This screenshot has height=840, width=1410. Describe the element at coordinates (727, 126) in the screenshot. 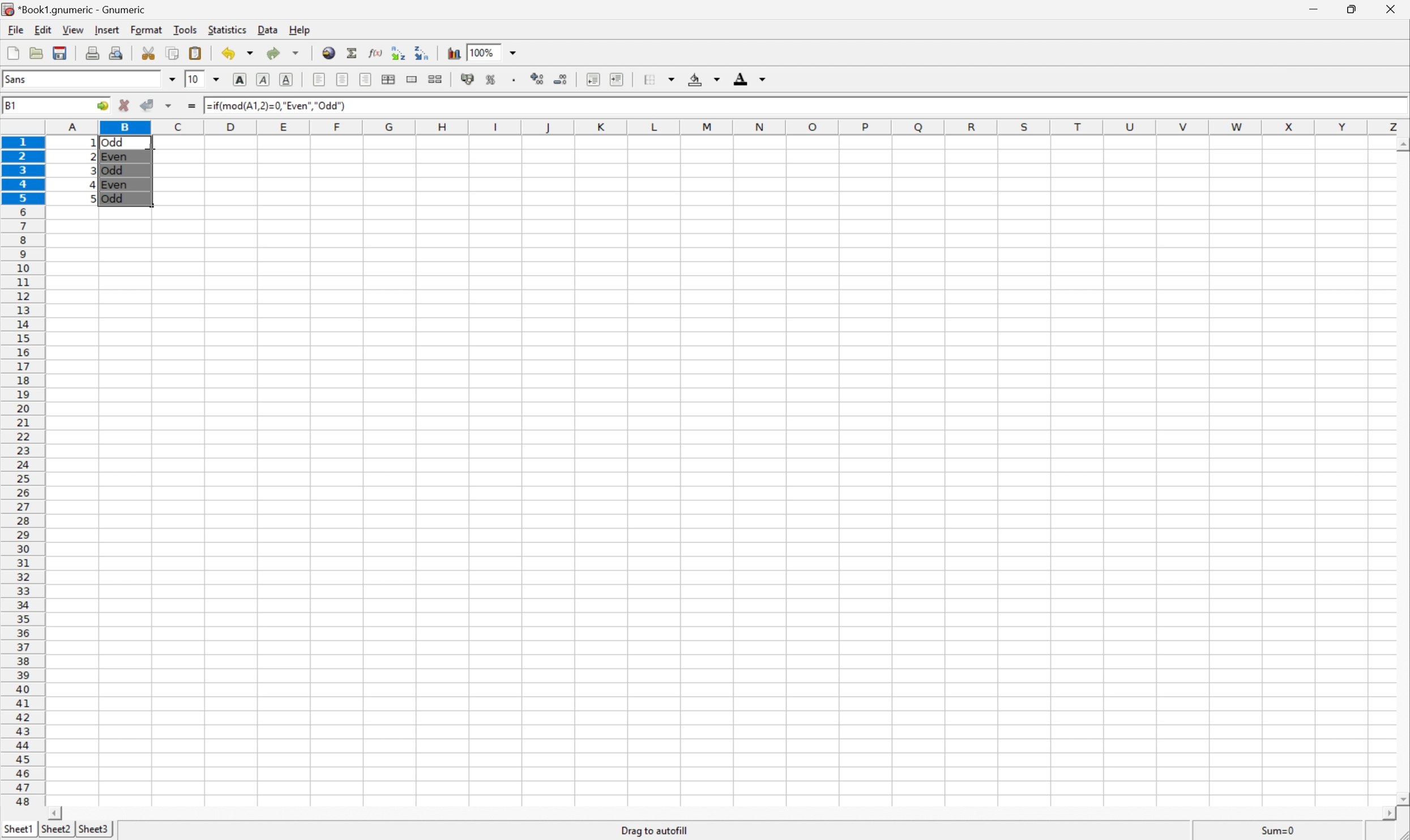

I see `Column names` at that location.